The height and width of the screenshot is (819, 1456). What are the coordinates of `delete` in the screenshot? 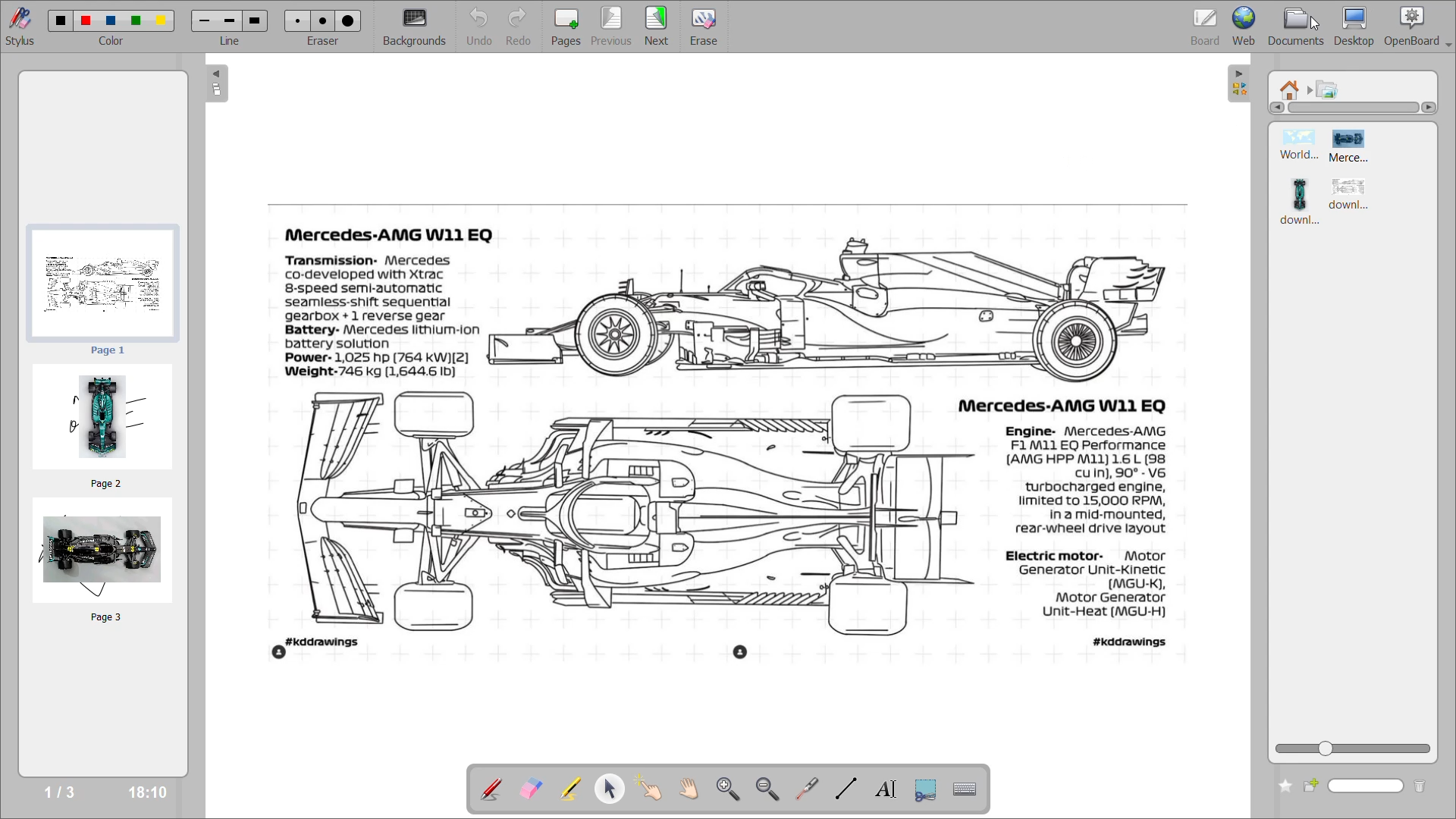 It's located at (1423, 785).